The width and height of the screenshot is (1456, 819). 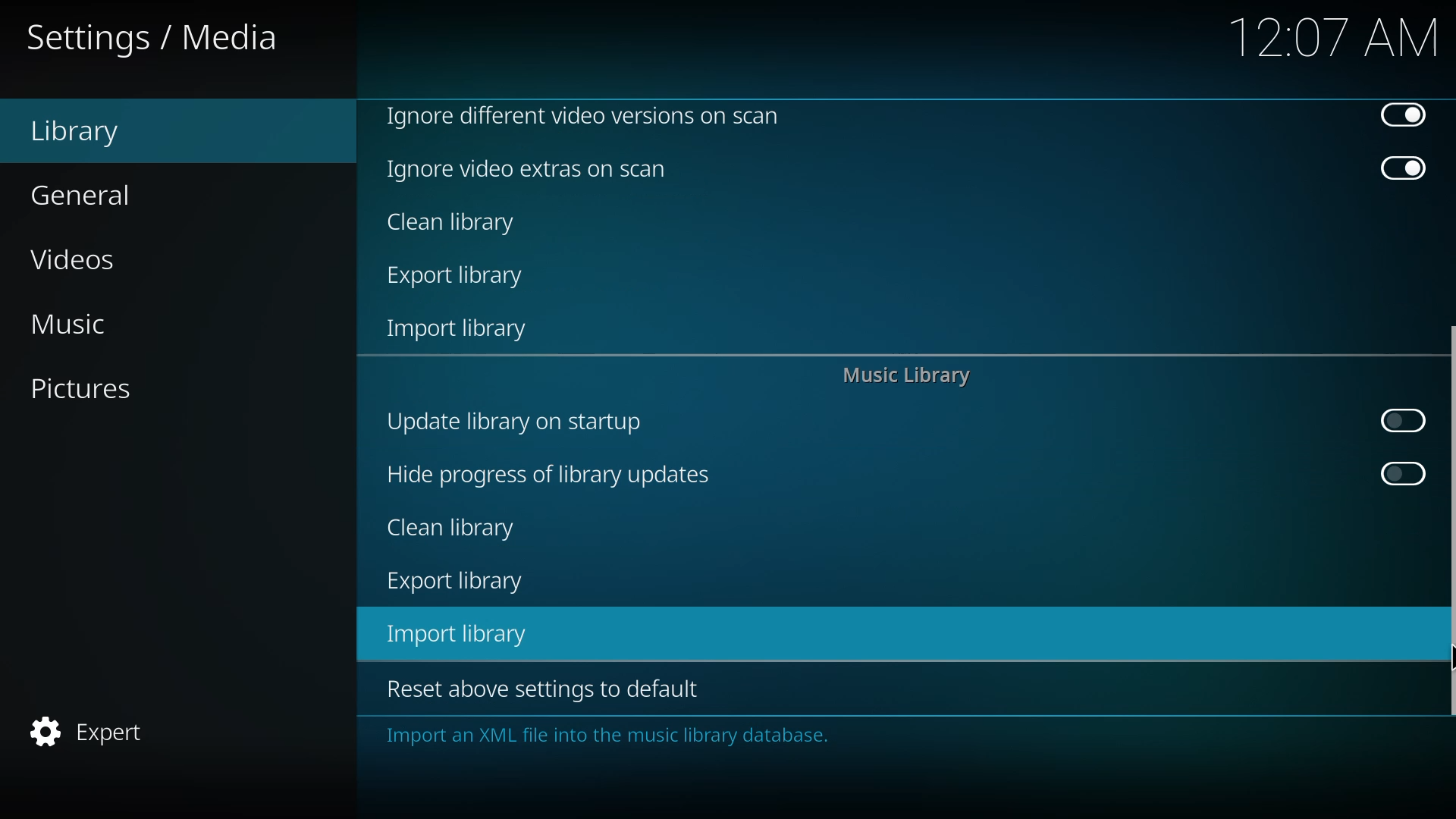 I want to click on videos, so click(x=76, y=262).